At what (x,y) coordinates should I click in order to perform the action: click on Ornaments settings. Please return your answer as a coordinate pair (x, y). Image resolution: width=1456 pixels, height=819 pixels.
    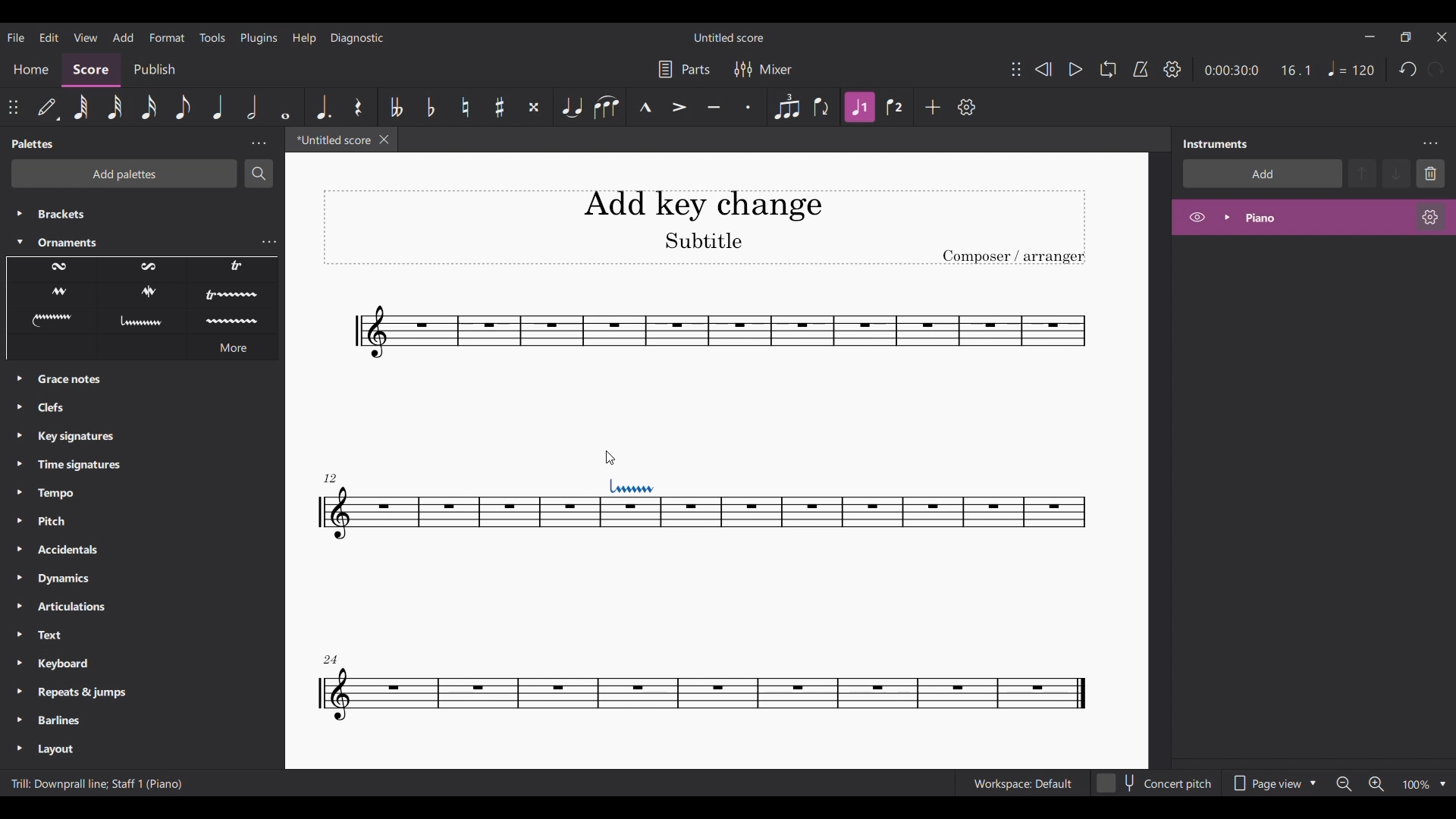
    Looking at the image, I should click on (268, 243).